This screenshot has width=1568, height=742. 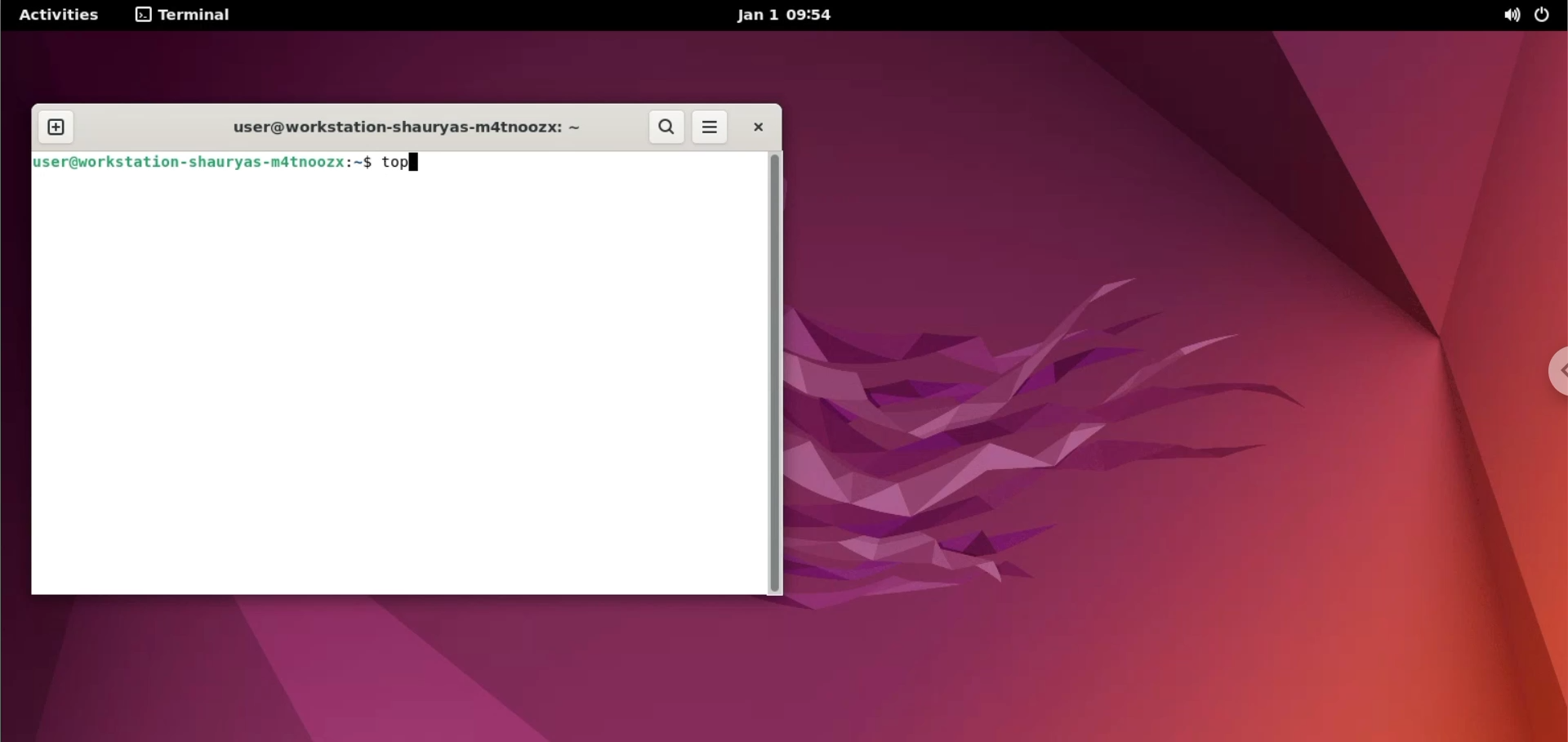 I want to click on chrome options, so click(x=1552, y=371).